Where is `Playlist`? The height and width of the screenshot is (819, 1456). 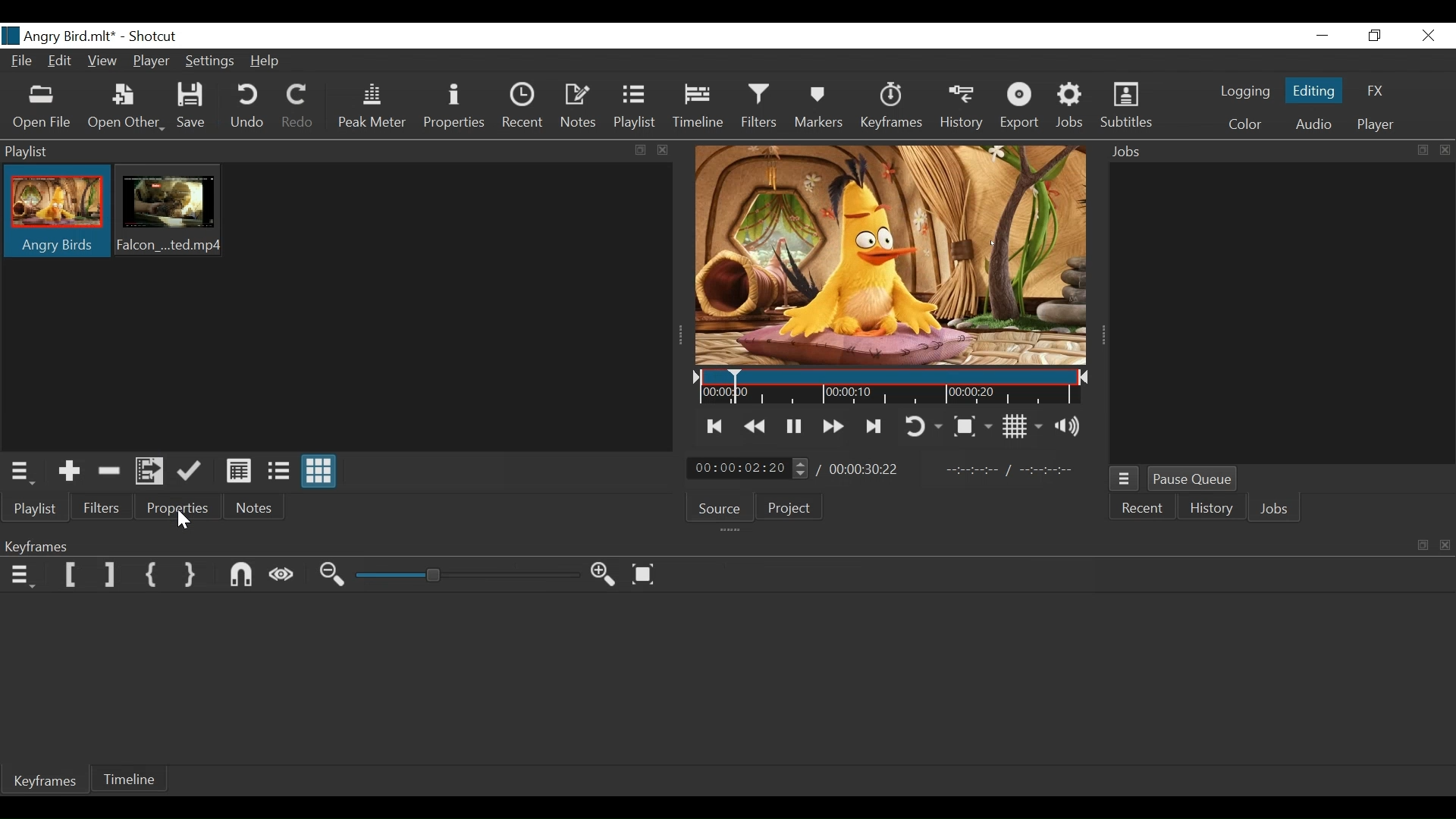 Playlist is located at coordinates (636, 108).